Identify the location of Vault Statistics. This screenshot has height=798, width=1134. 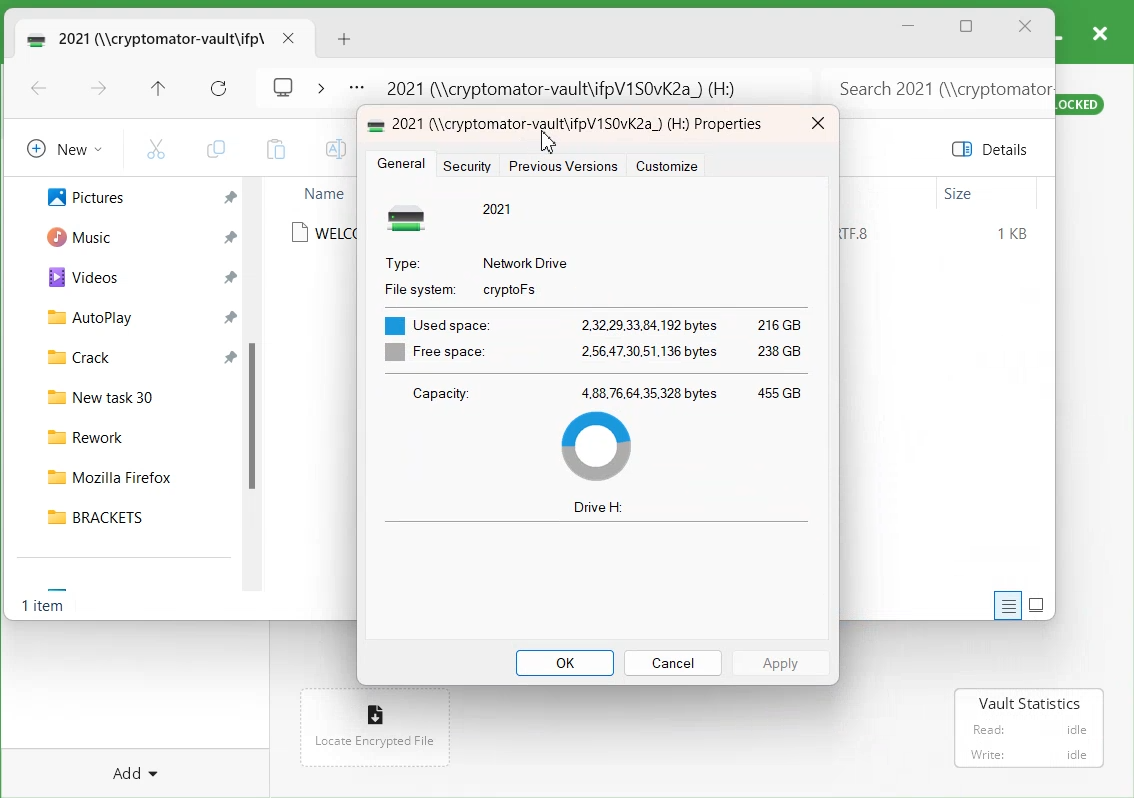
(1032, 703).